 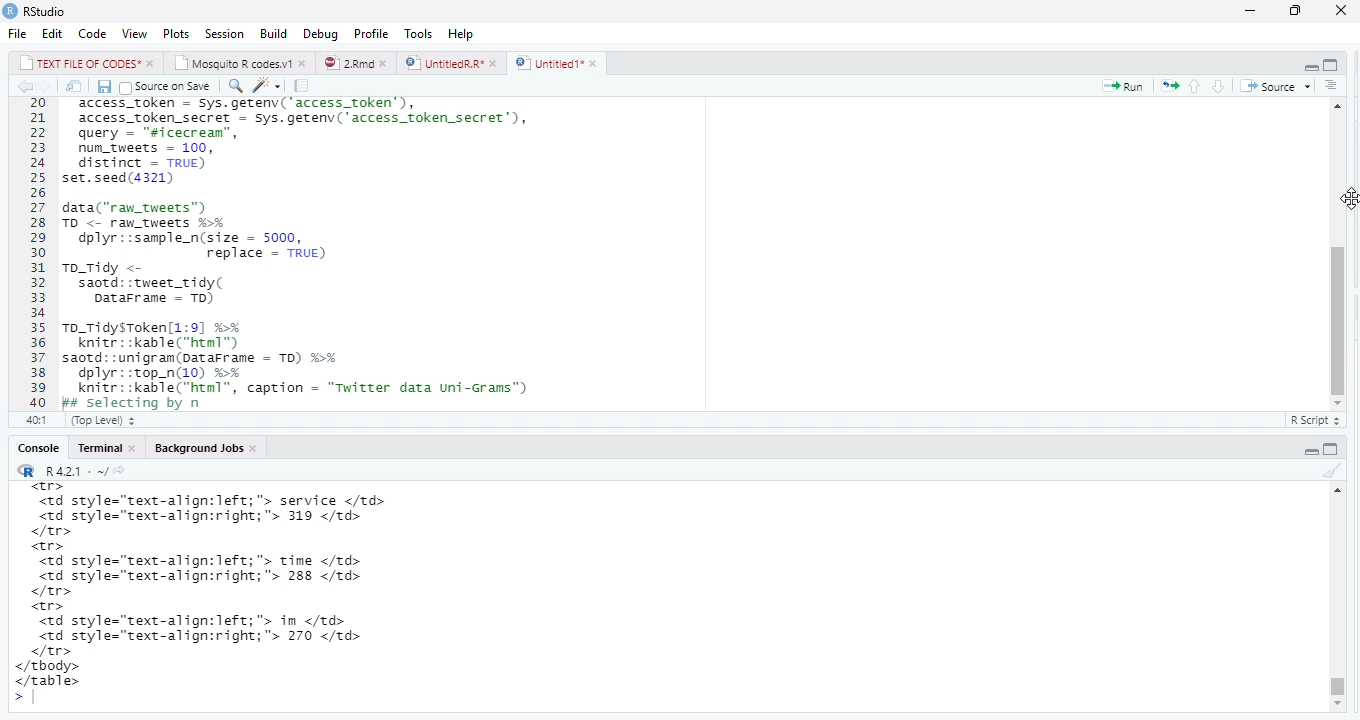 What do you see at coordinates (1315, 61) in the screenshot?
I see `minimze/maximize` at bounding box center [1315, 61].